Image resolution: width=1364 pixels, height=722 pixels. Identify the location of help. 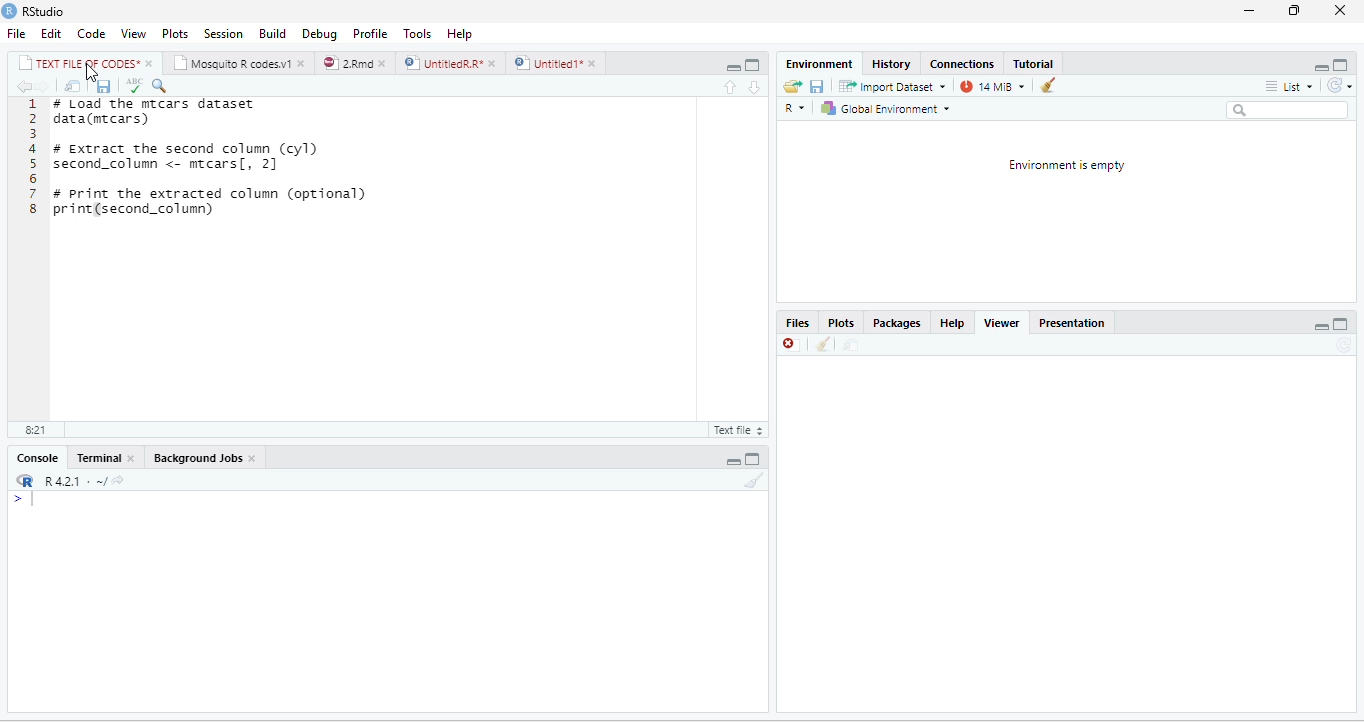
(952, 324).